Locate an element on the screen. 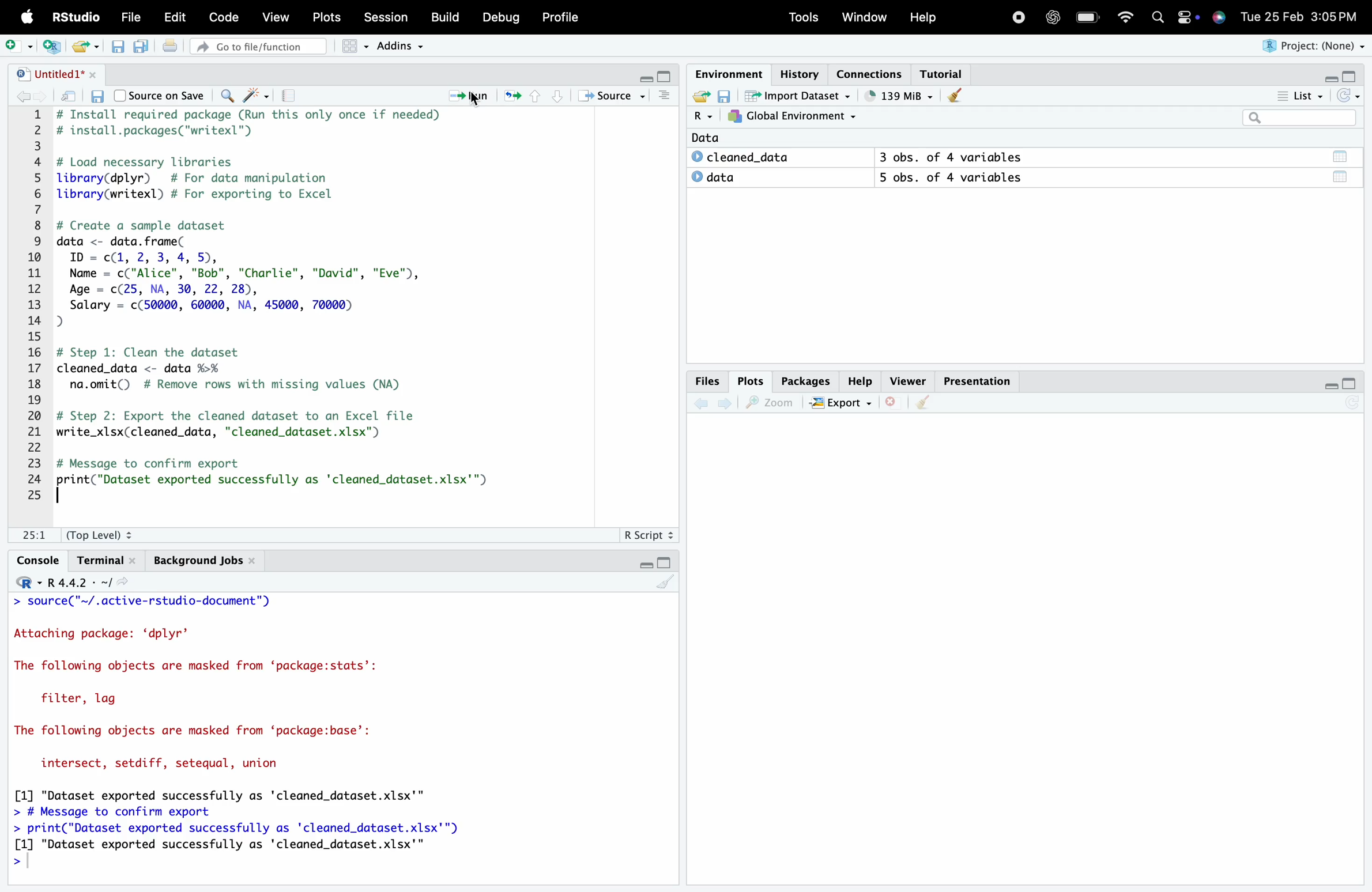  Environment is located at coordinates (728, 73).